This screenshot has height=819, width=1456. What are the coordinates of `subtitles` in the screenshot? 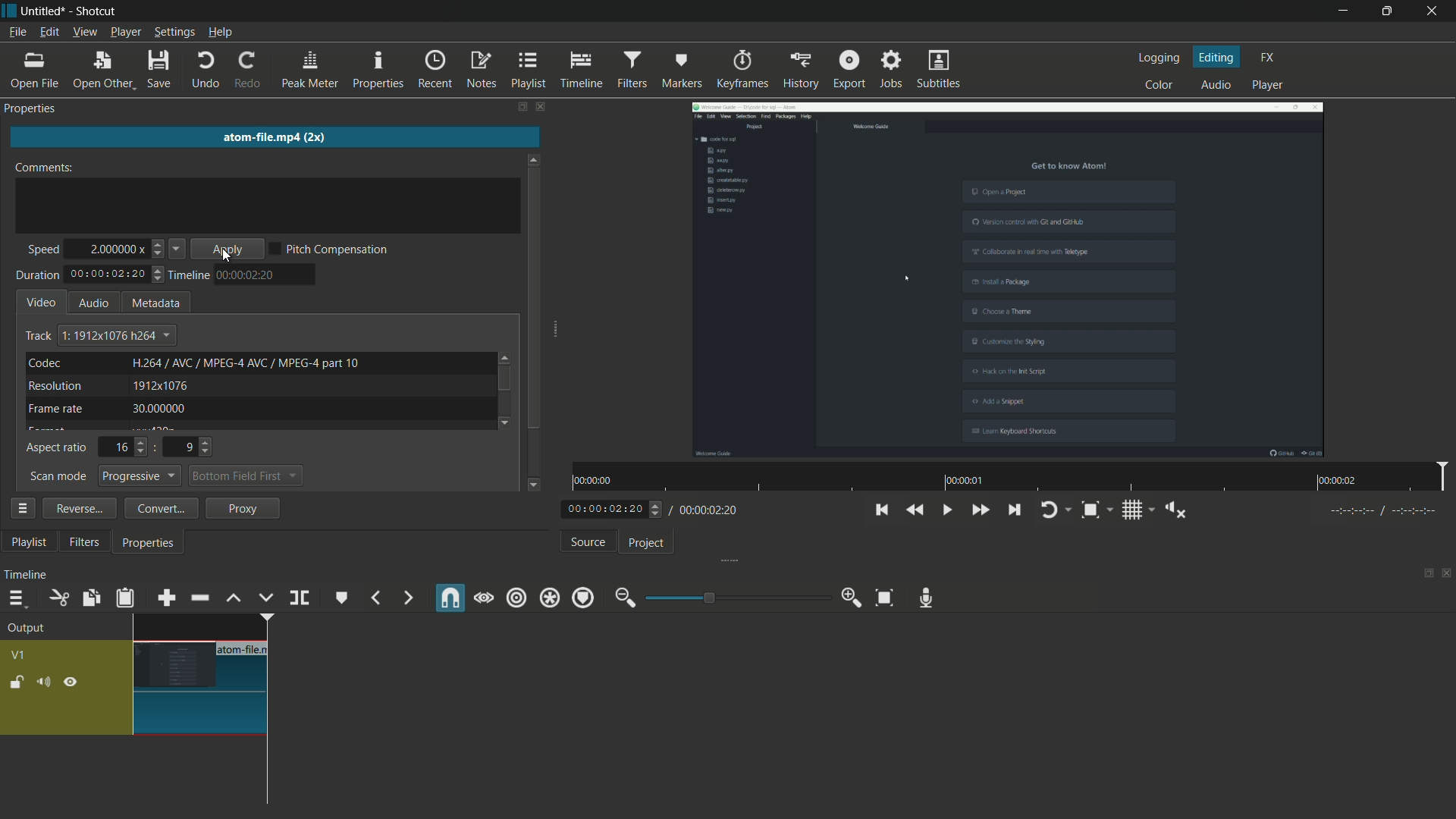 It's located at (940, 68).